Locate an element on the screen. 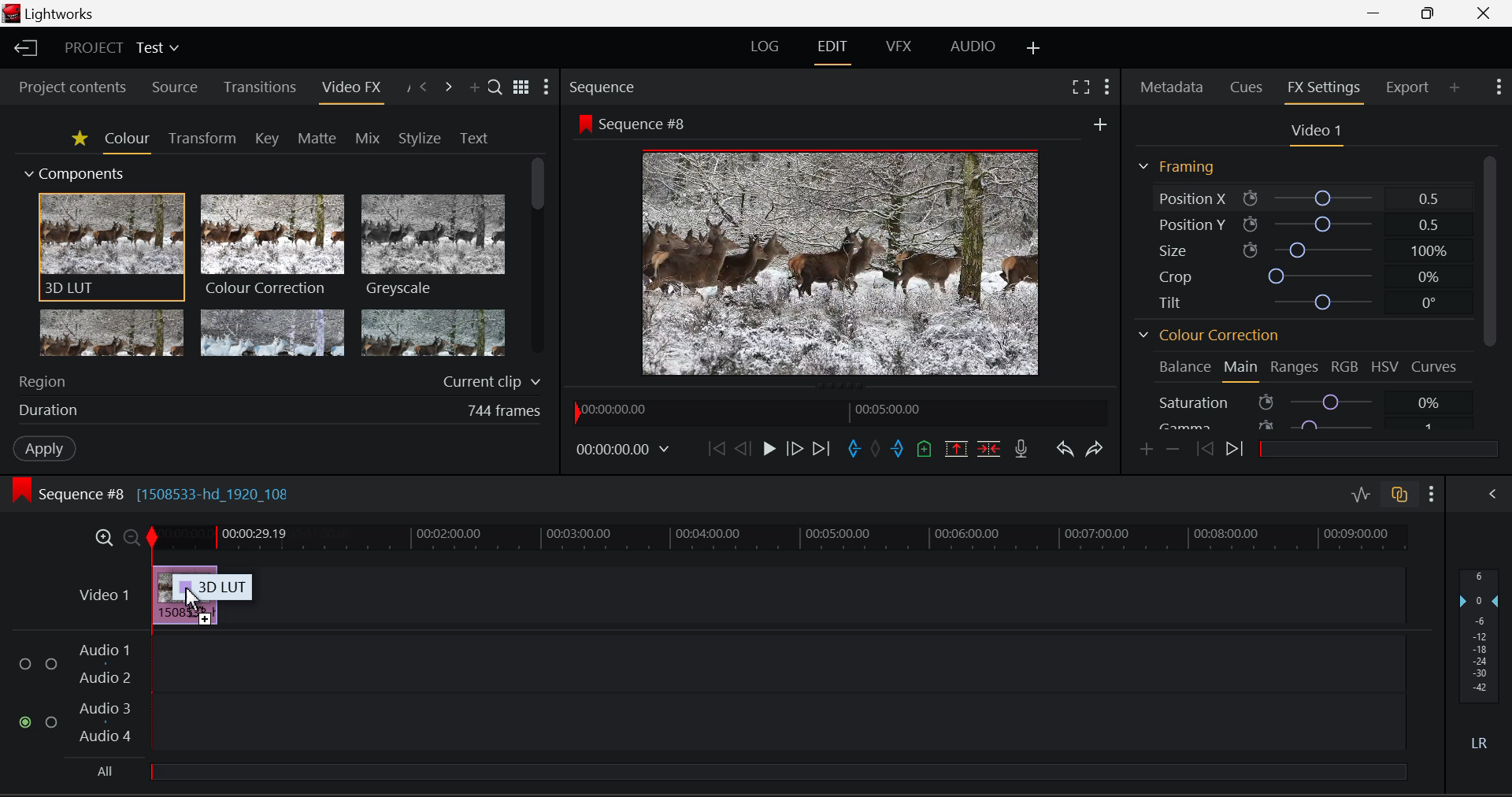  Mark In is located at coordinates (854, 450).